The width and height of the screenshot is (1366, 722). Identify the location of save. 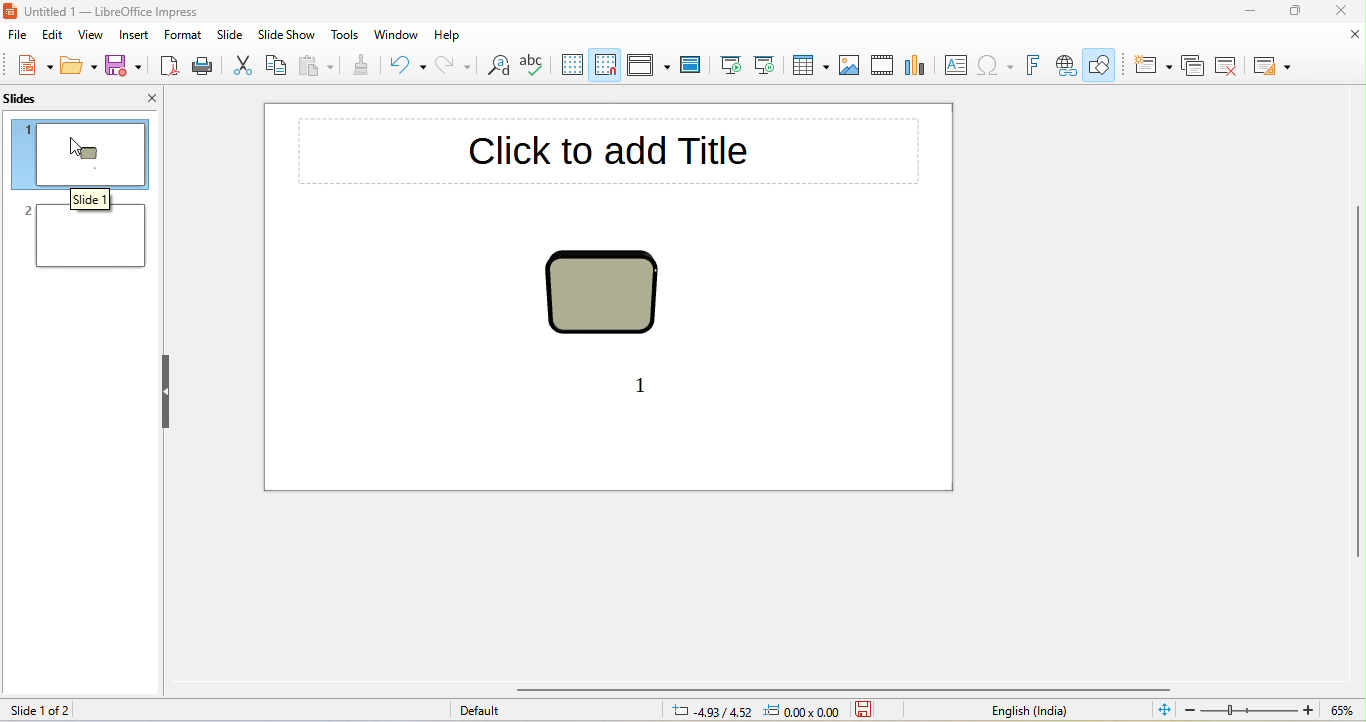
(123, 66).